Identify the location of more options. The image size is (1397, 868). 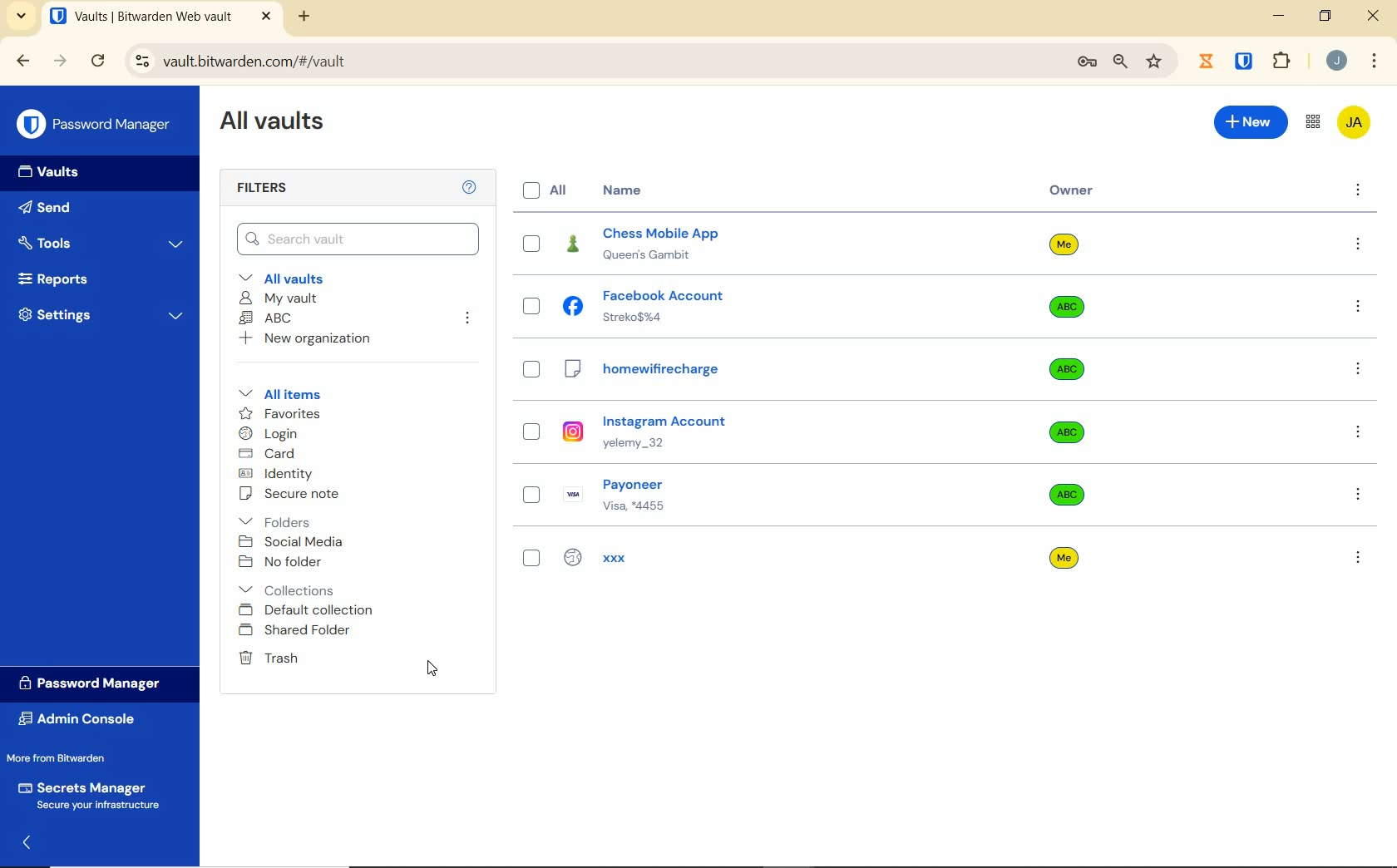
(1360, 374).